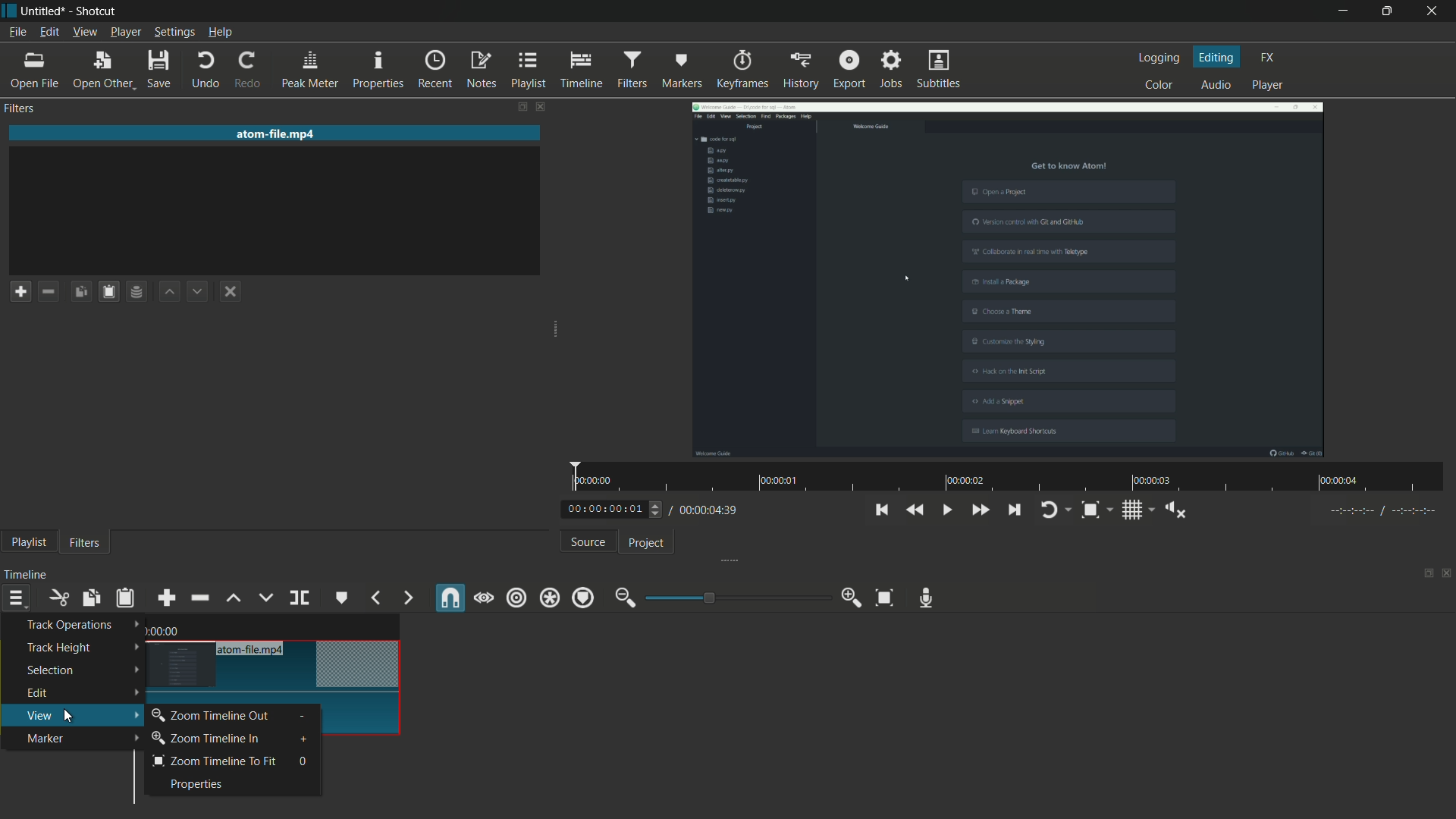  Describe the element at coordinates (435, 70) in the screenshot. I see `recent` at that location.